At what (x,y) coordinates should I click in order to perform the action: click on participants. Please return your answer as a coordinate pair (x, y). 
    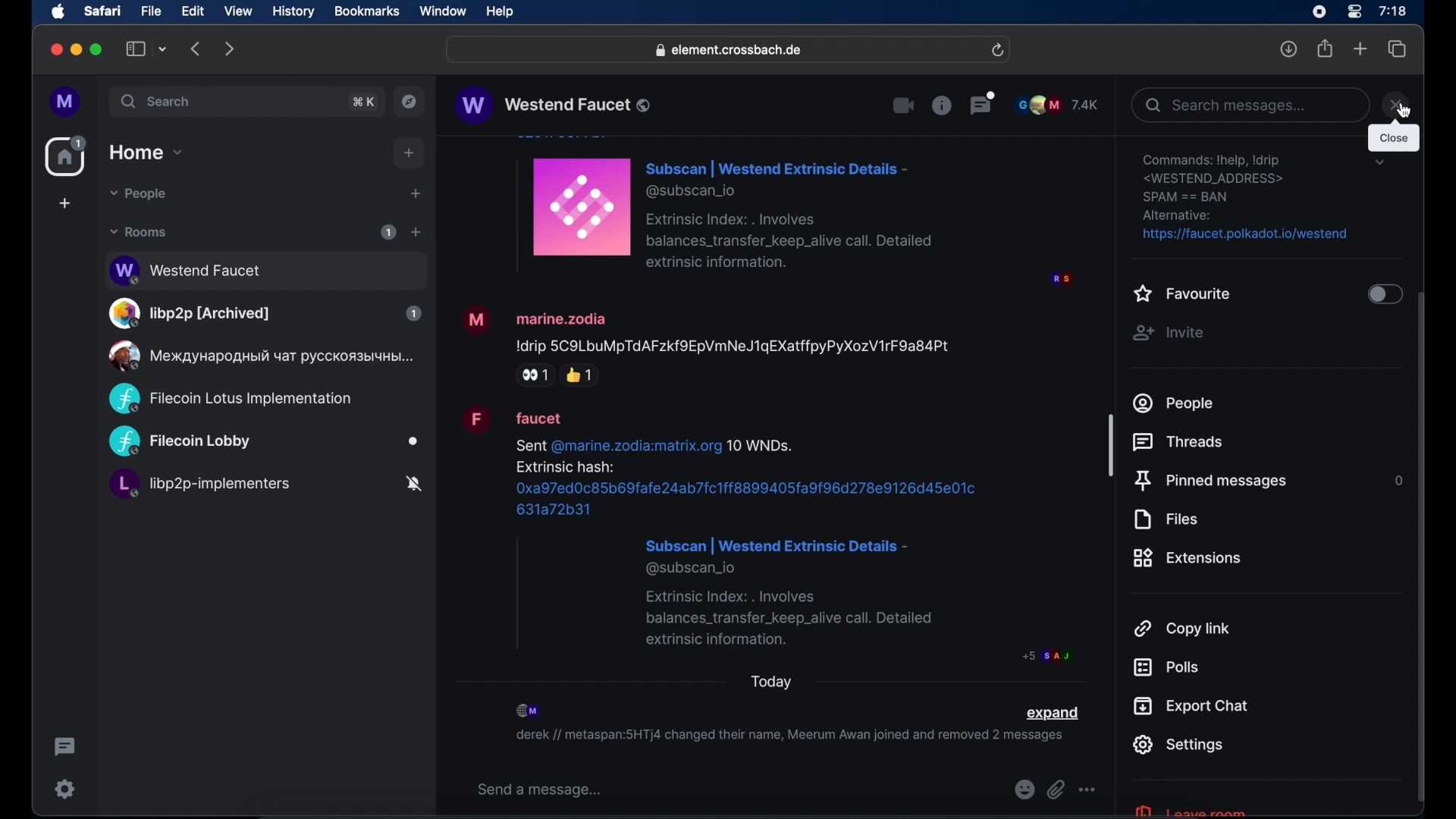
    Looking at the image, I should click on (529, 711).